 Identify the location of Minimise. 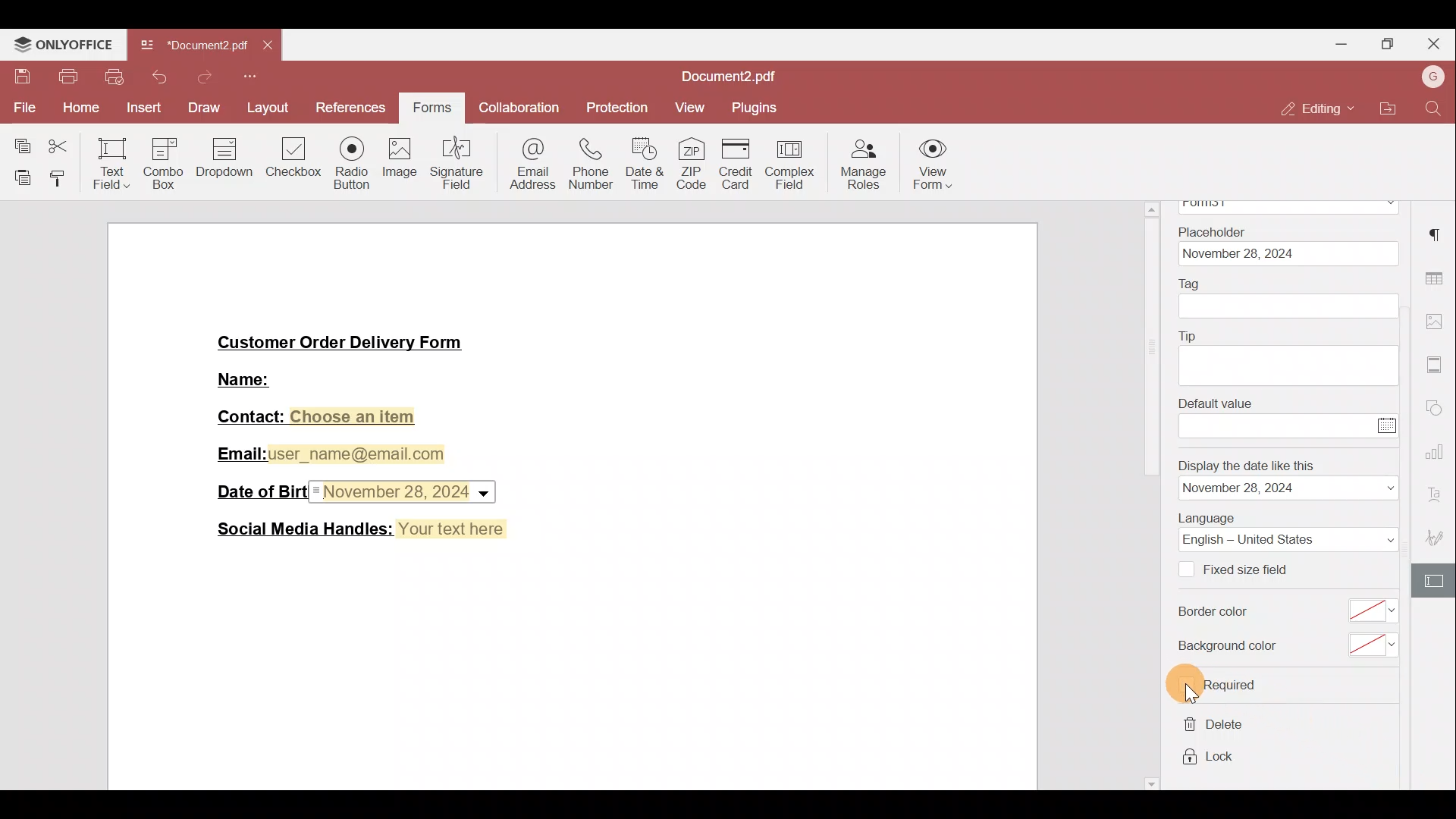
(1341, 46).